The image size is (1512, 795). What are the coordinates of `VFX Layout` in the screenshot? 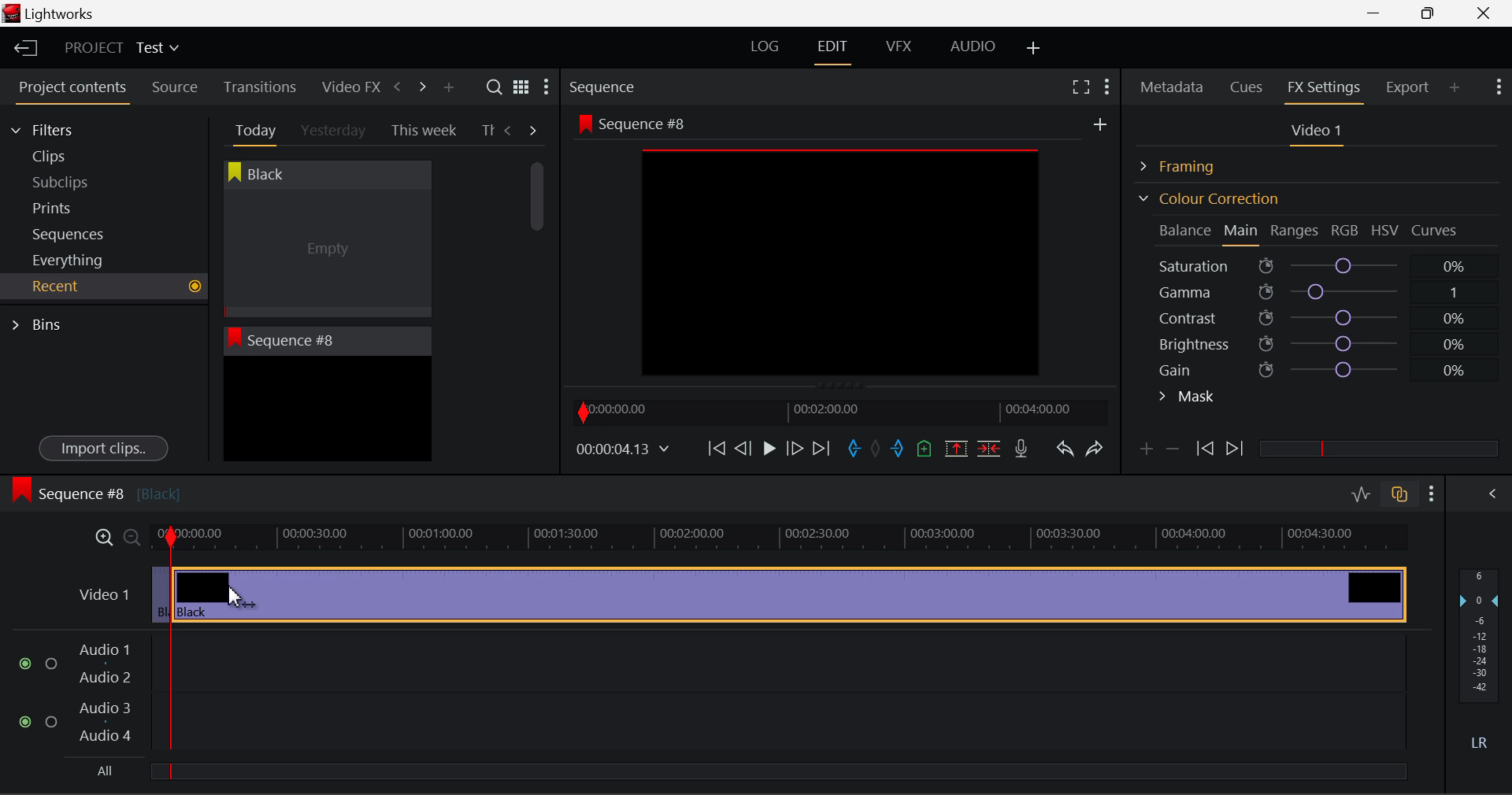 It's located at (902, 48).